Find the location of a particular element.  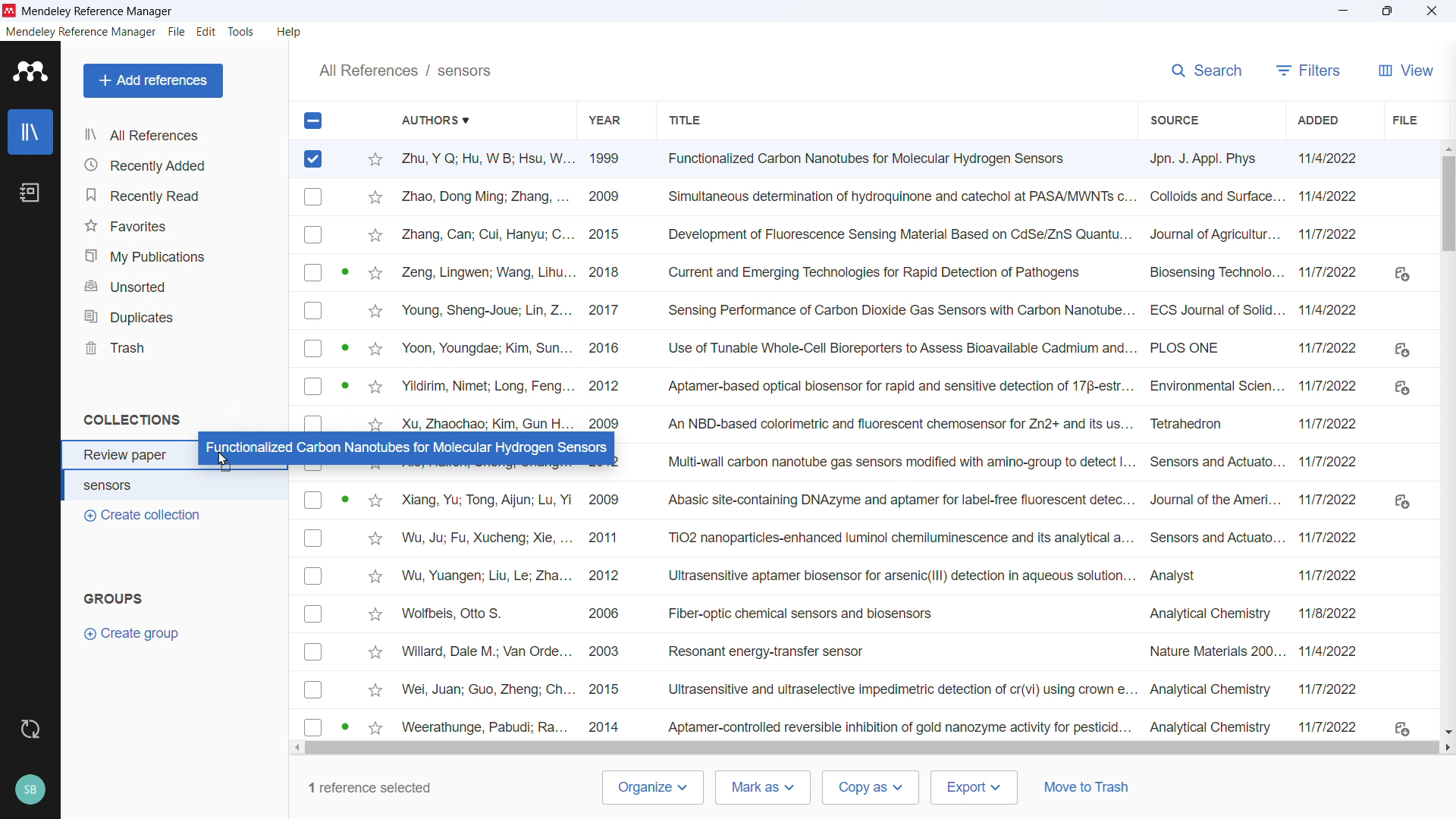

Mark as  is located at coordinates (762, 788).